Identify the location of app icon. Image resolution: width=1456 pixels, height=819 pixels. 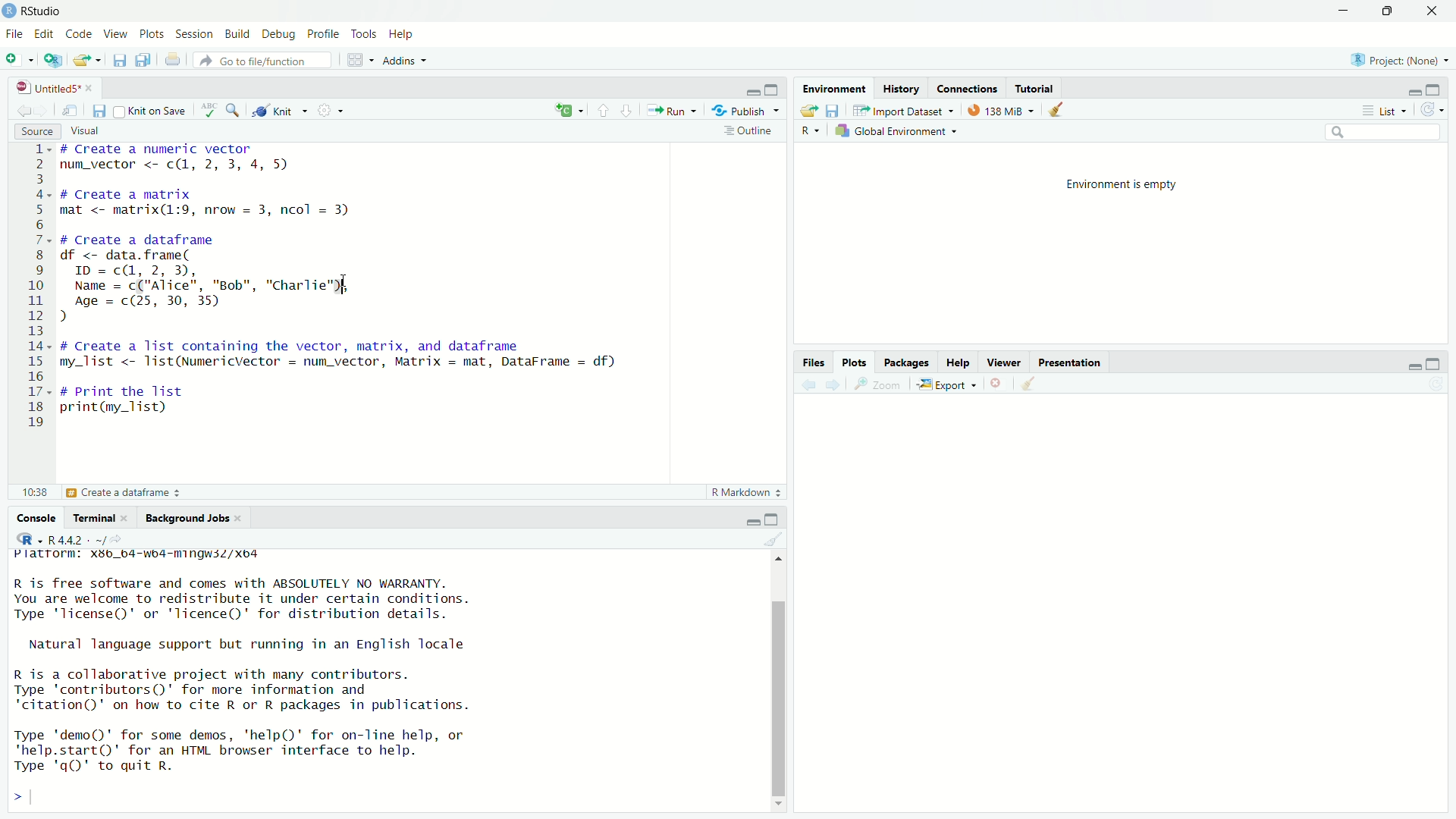
(10, 10).